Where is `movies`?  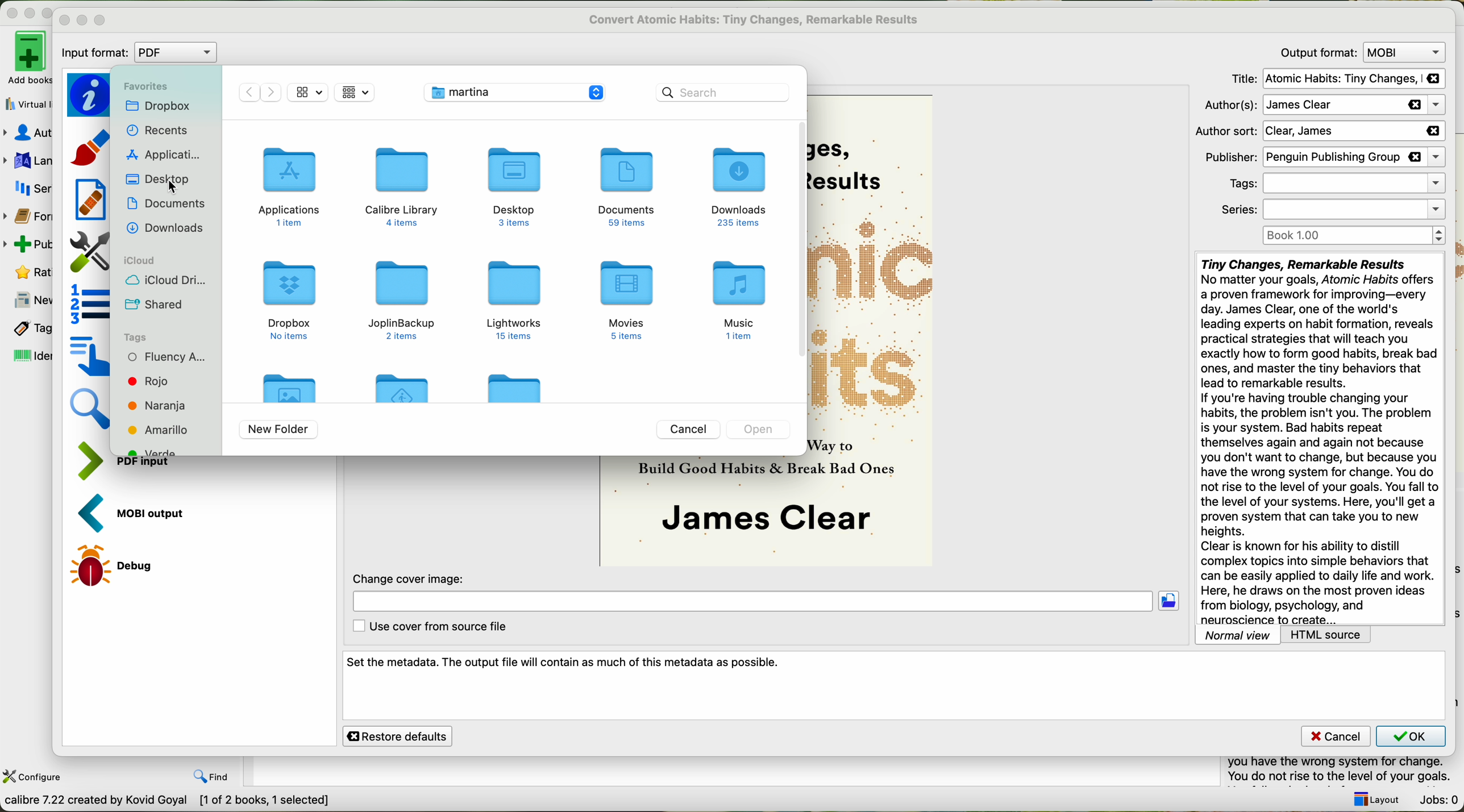 movies is located at coordinates (626, 303).